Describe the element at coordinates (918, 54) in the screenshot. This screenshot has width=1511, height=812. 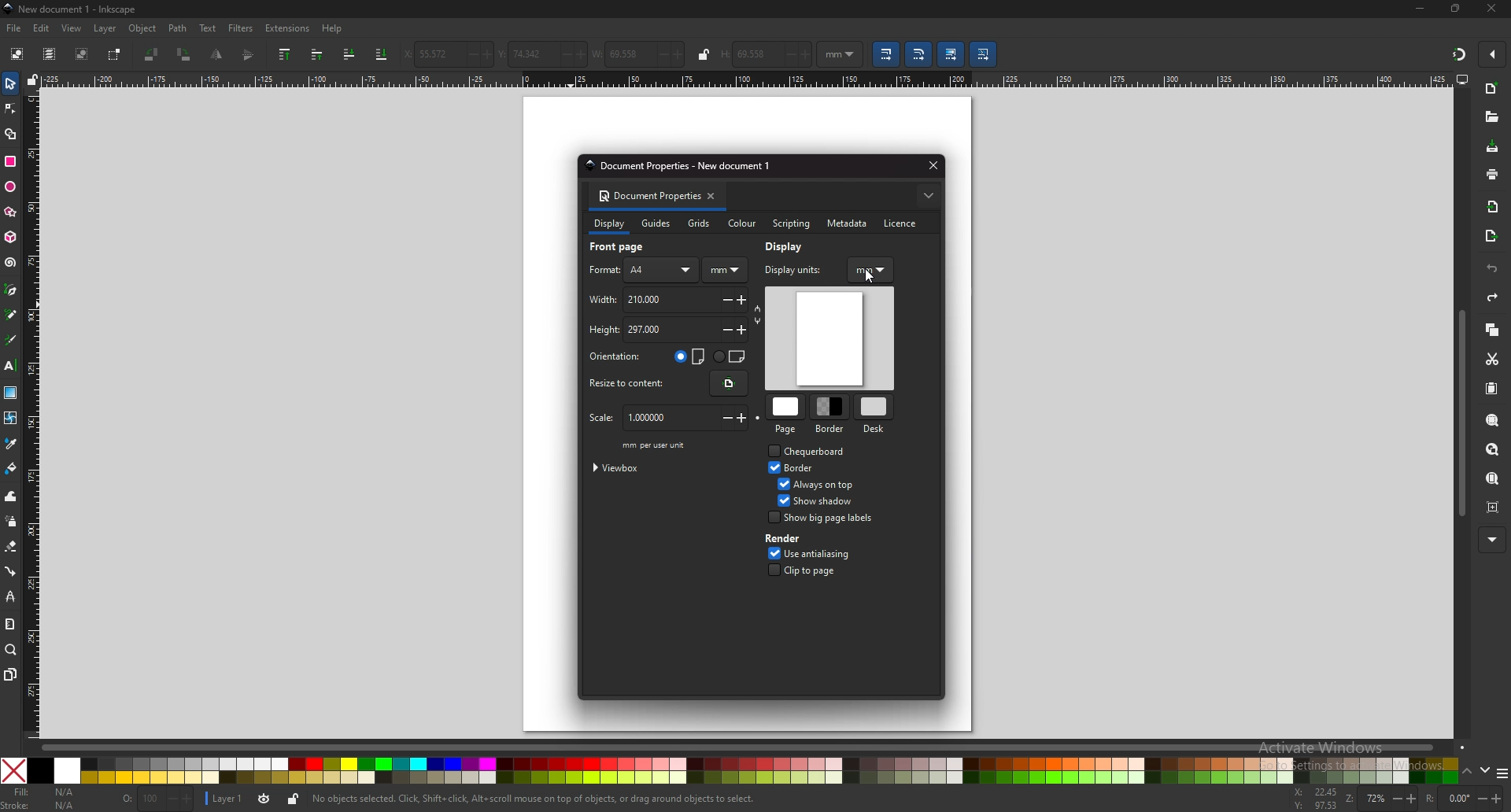
I see `scale radii` at that location.